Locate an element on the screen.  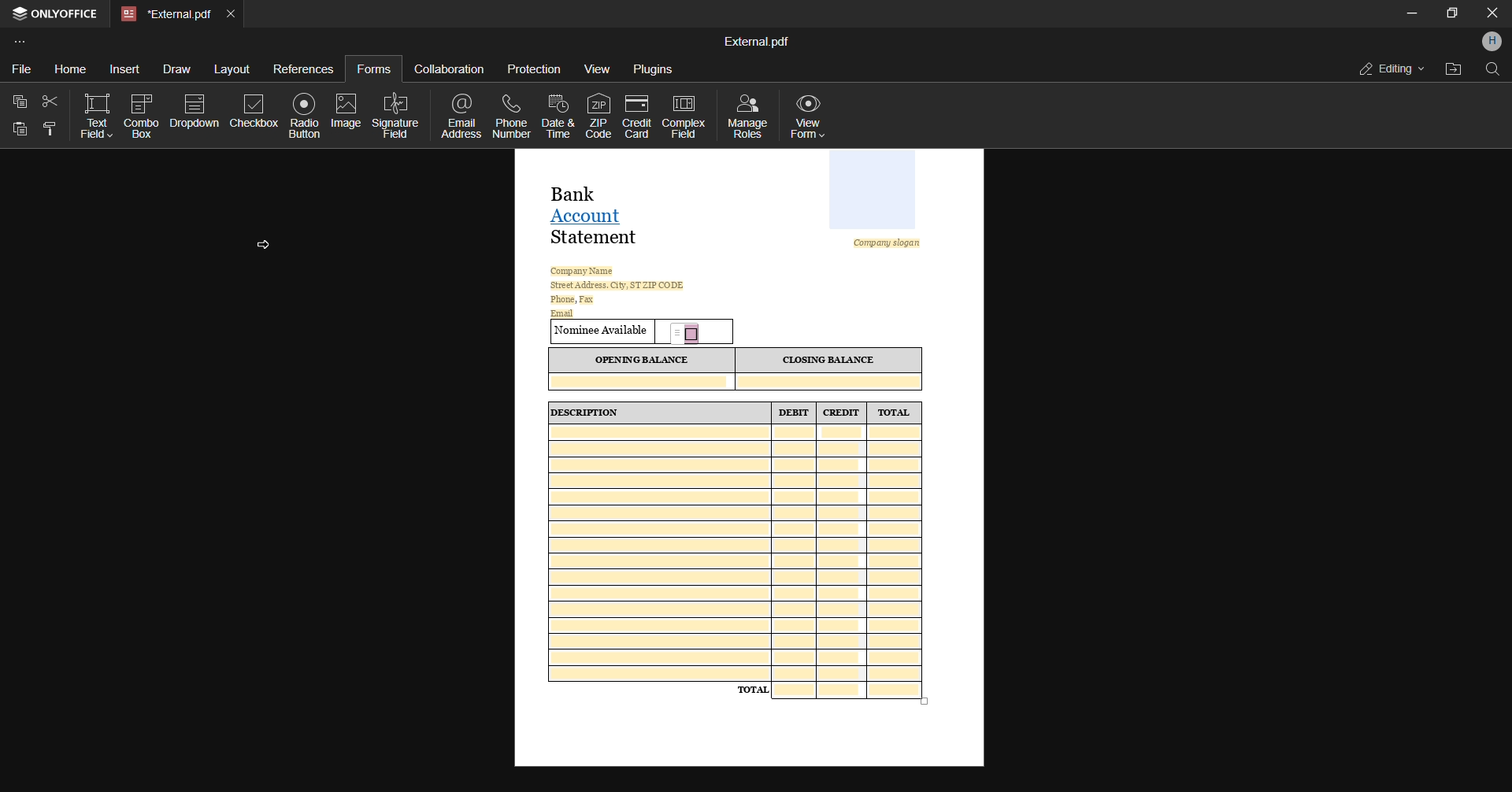
view is located at coordinates (598, 69).